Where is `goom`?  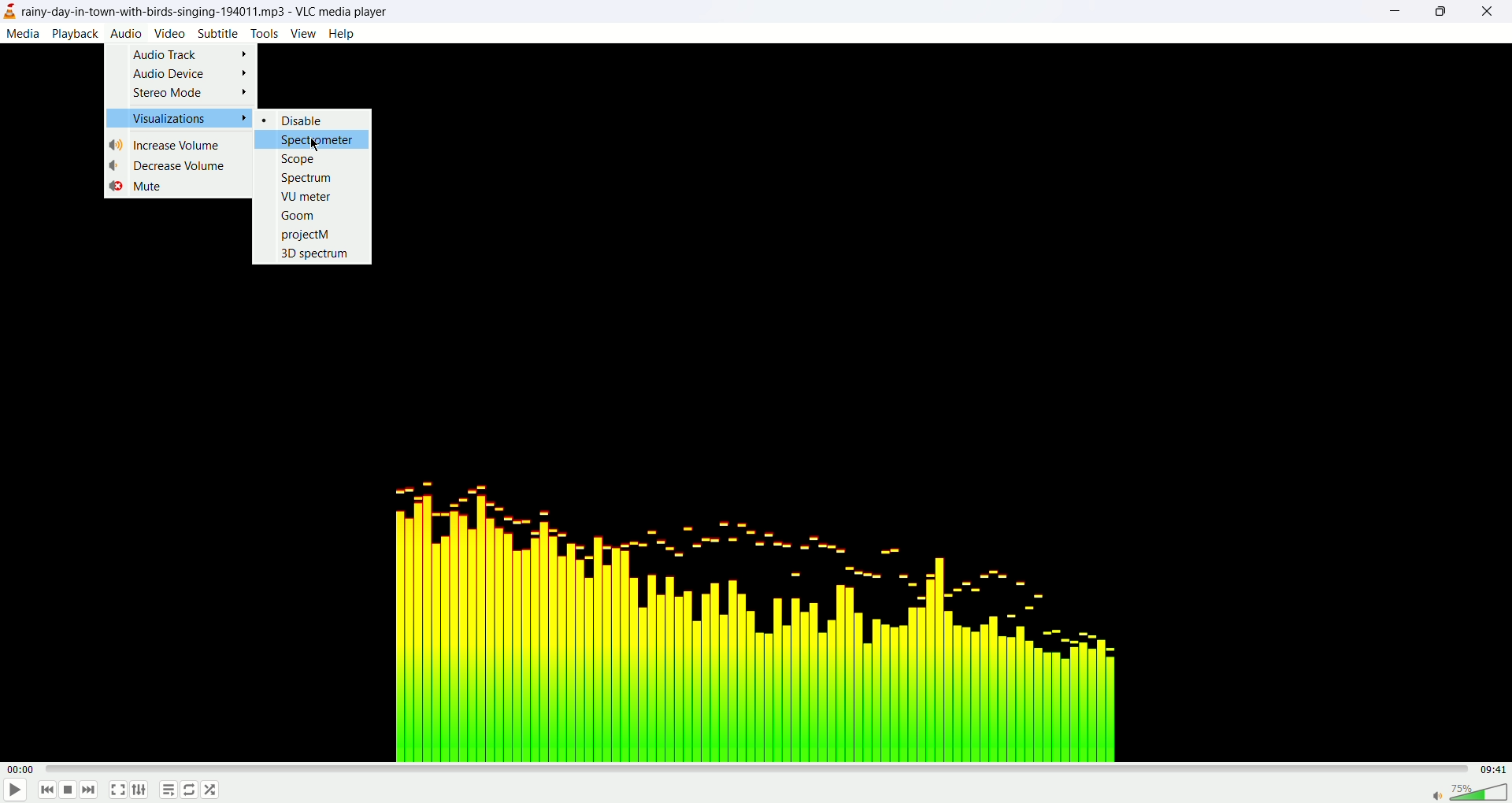
goom is located at coordinates (298, 214).